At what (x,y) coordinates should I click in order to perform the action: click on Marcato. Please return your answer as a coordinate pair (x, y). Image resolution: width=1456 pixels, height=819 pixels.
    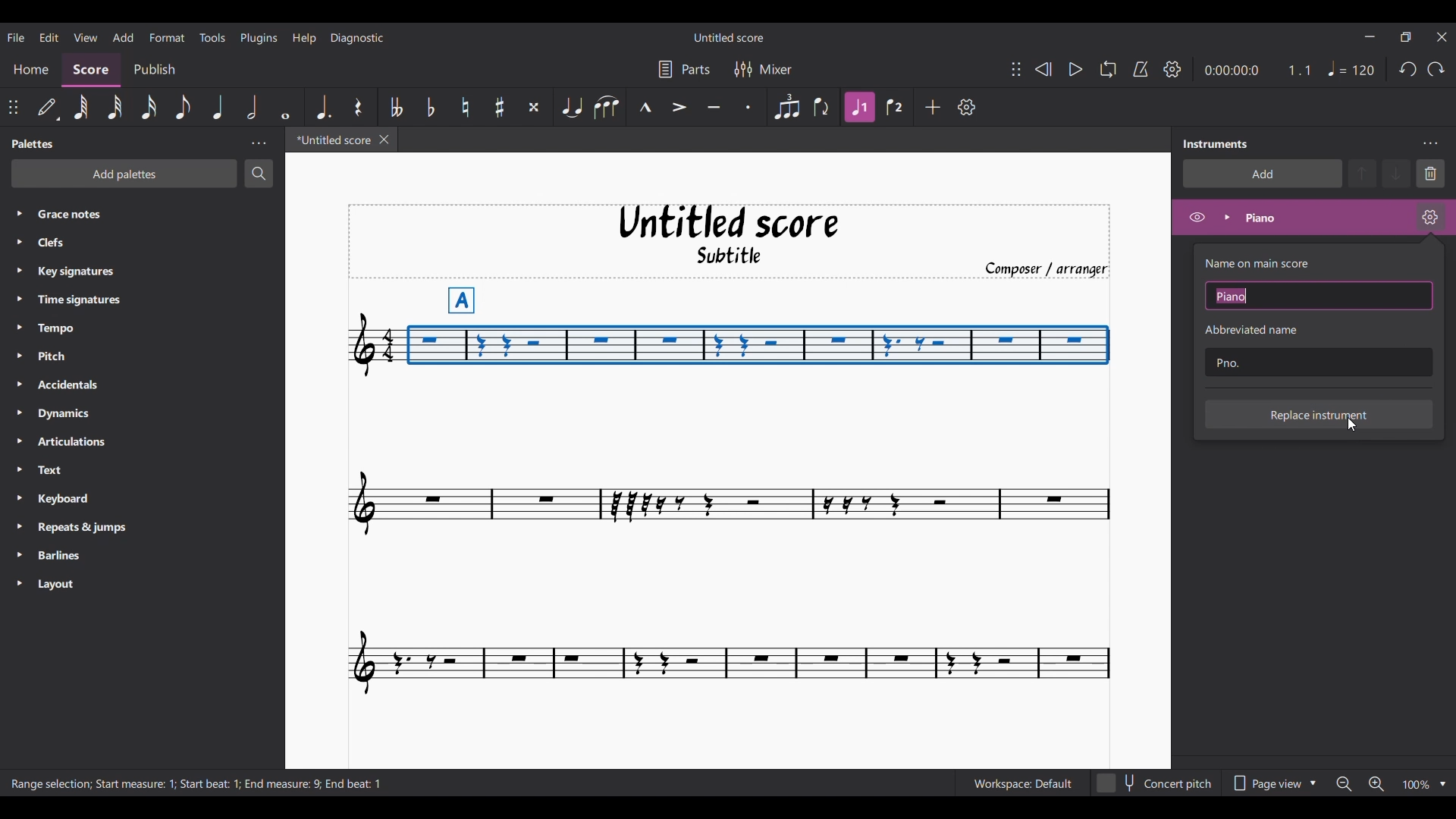
    Looking at the image, I should click on (645, 106).